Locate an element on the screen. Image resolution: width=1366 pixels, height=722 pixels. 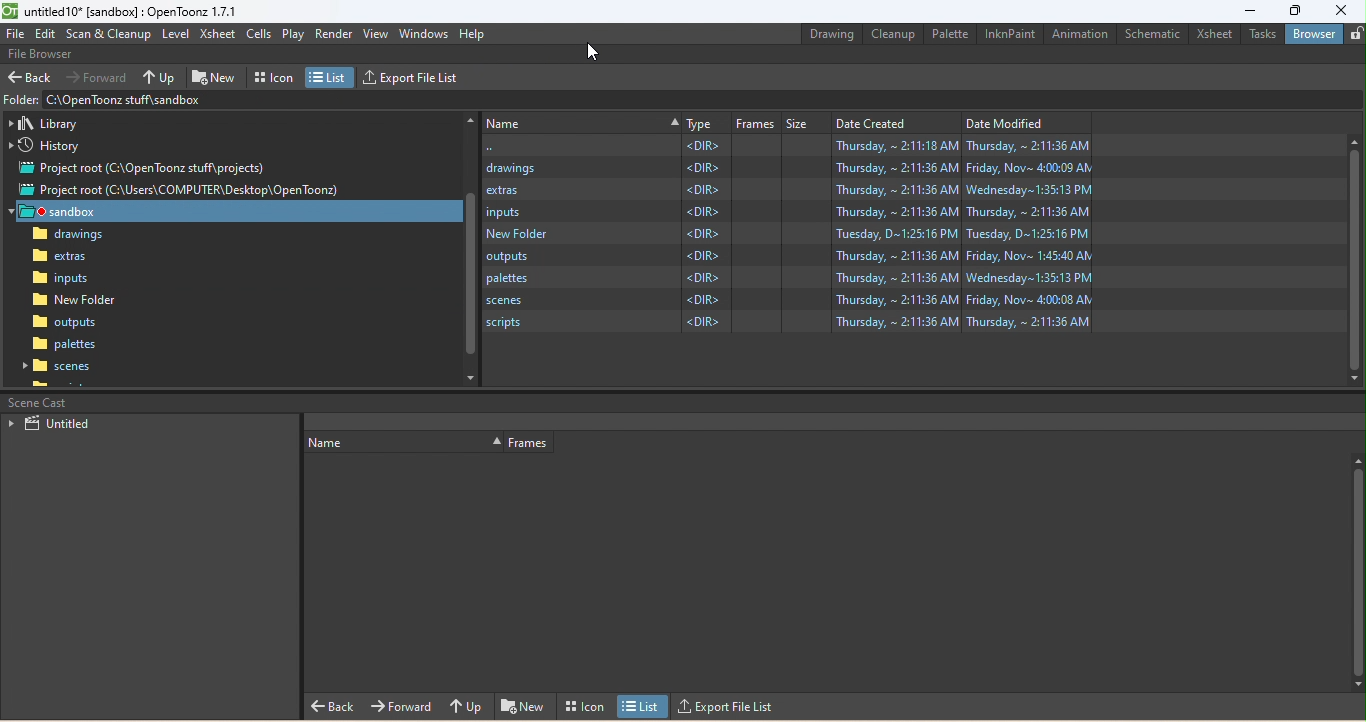
extras is located at coordinates (789, 190).